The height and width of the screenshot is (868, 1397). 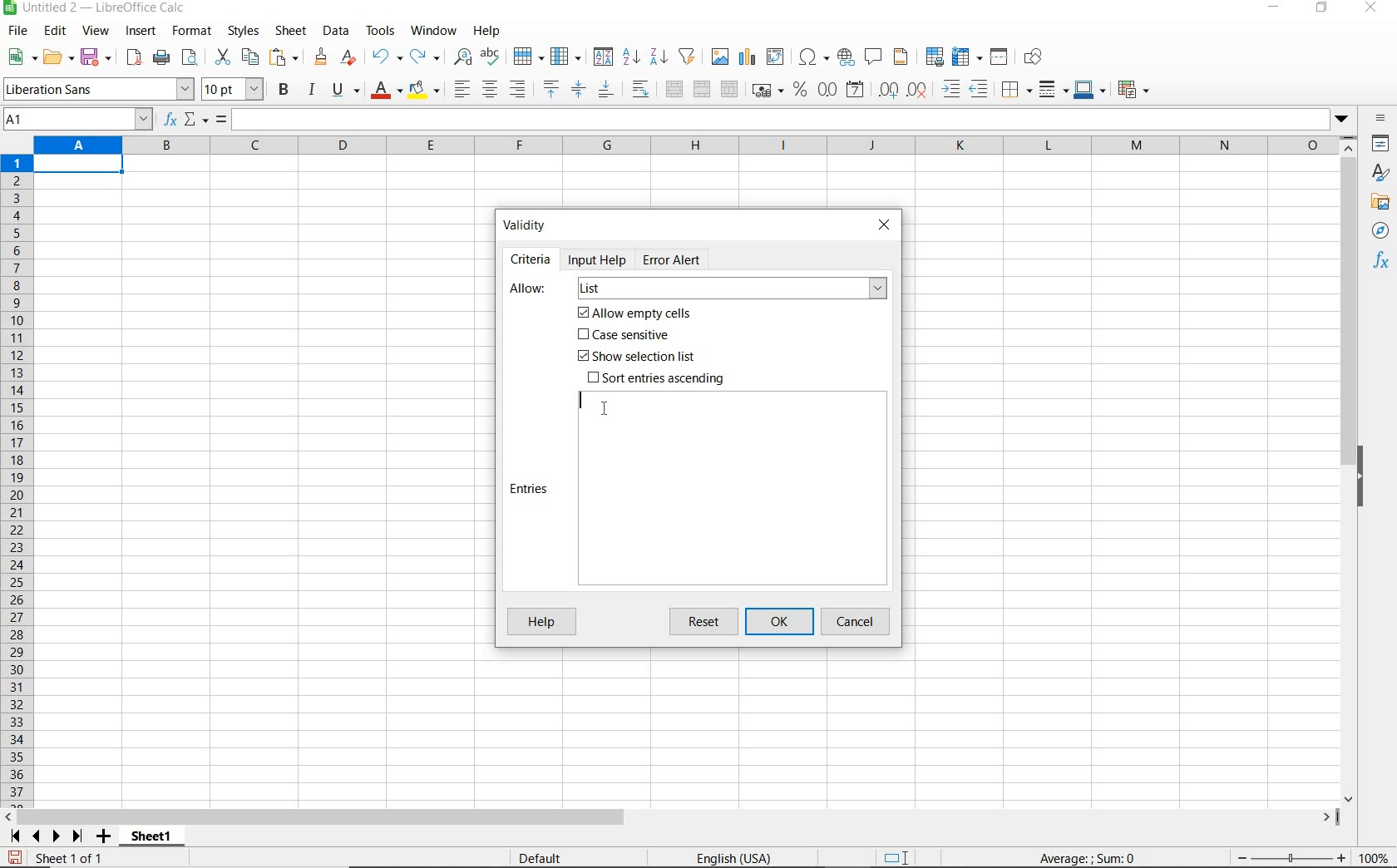 What do you see at coordinates (1285, 857) in the screenshot?
I see `zoom out or zoom in` at bounding box center [1285, 857].